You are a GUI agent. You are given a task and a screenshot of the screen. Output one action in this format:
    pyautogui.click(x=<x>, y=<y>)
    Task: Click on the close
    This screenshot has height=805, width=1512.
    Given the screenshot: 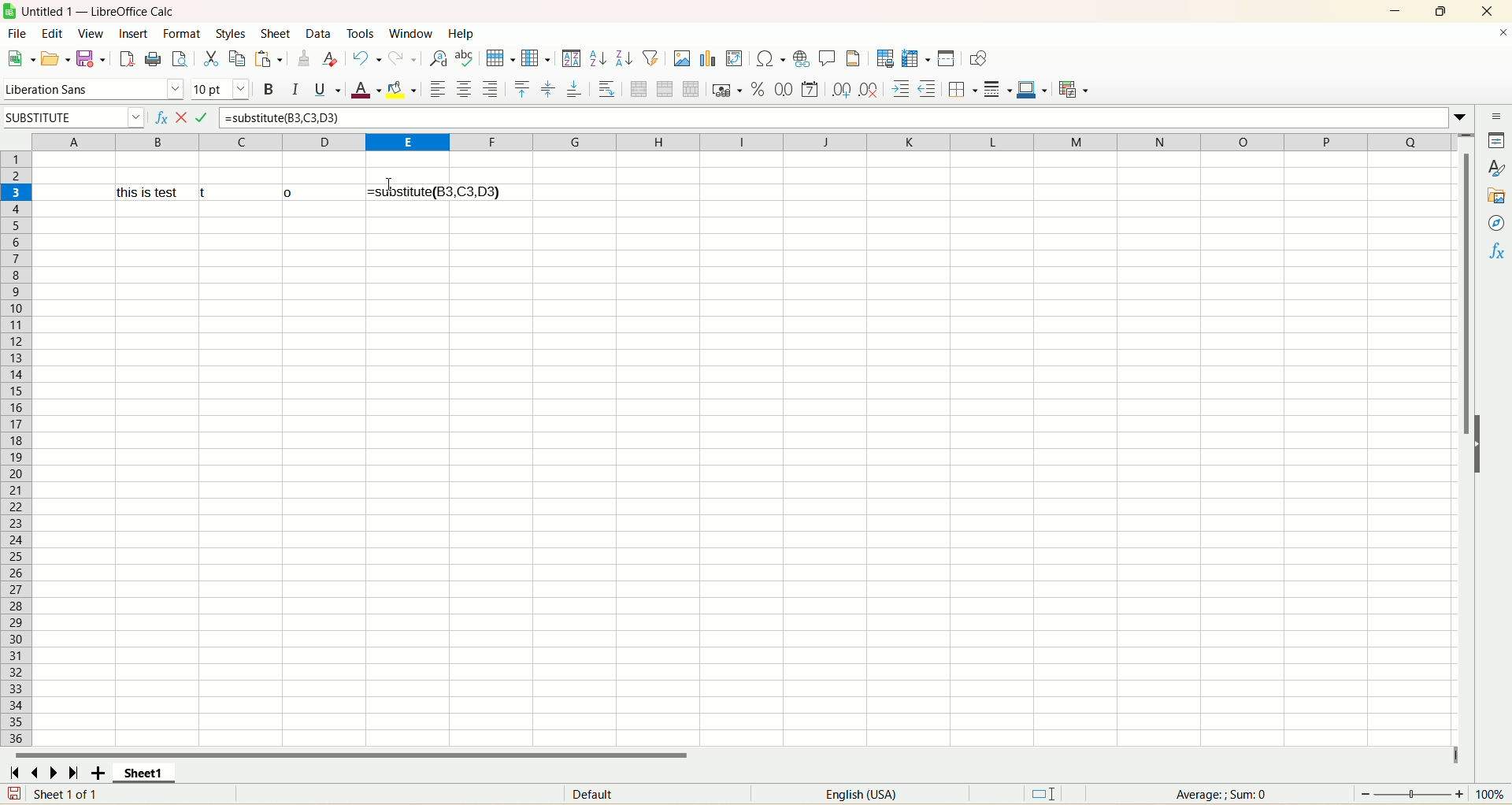 What is the action you would take?
    pyautogui.click(x=1484, y=10)
    